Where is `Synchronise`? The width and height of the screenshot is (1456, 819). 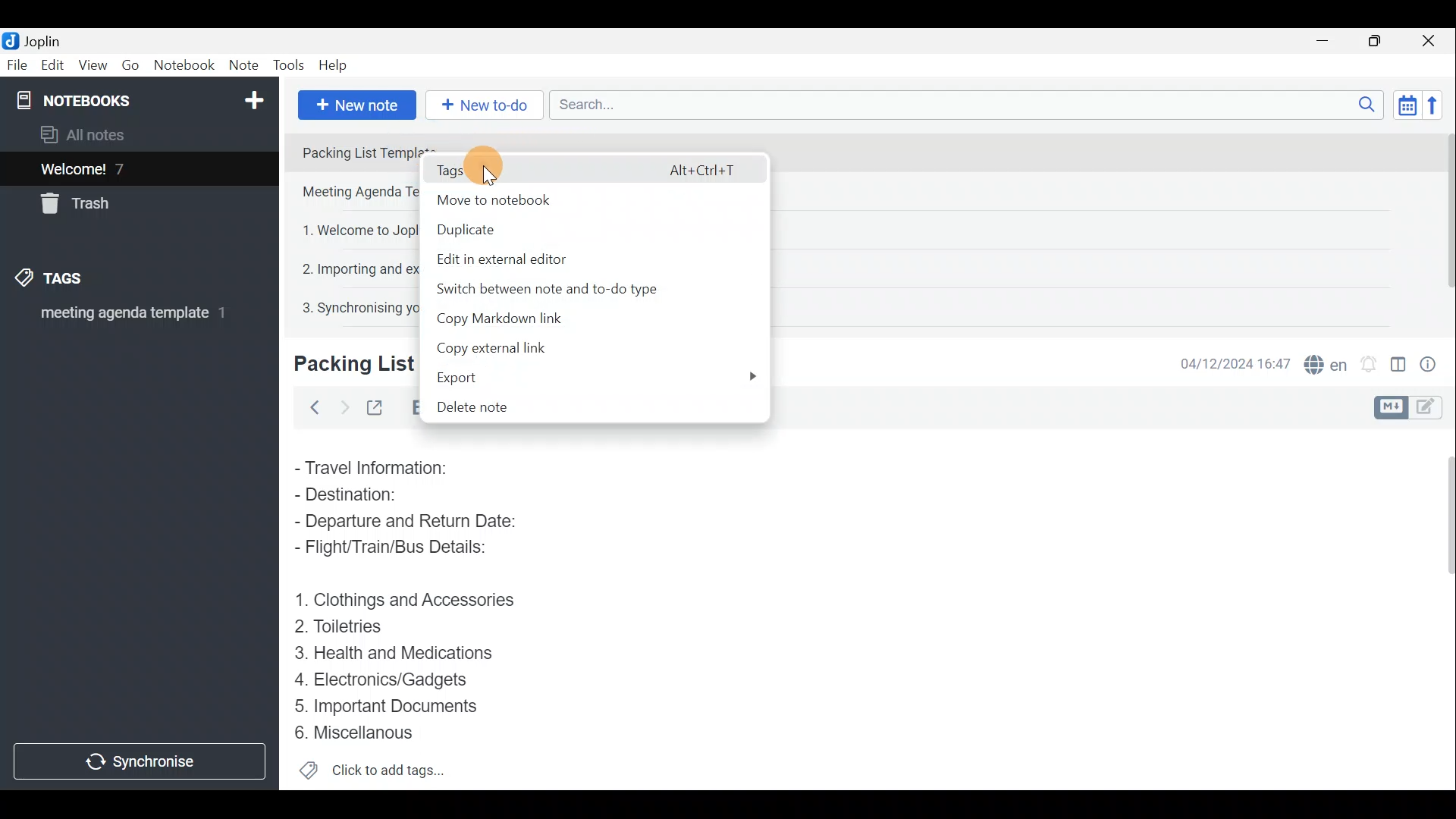 Synchronise is located at coordinates (142, 764).